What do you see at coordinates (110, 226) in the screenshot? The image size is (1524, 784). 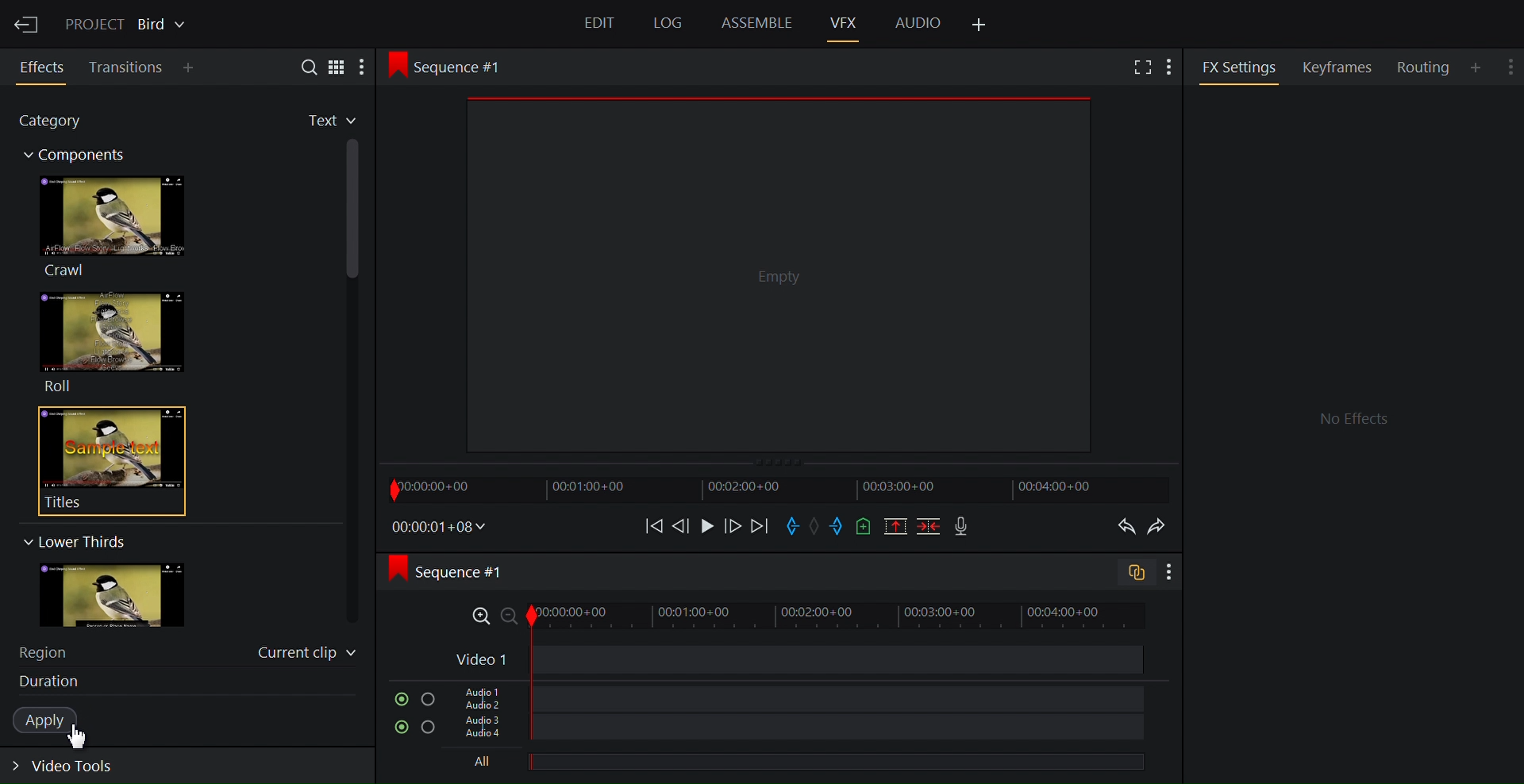 I see `Crawl` at bounding box center [110, 226].